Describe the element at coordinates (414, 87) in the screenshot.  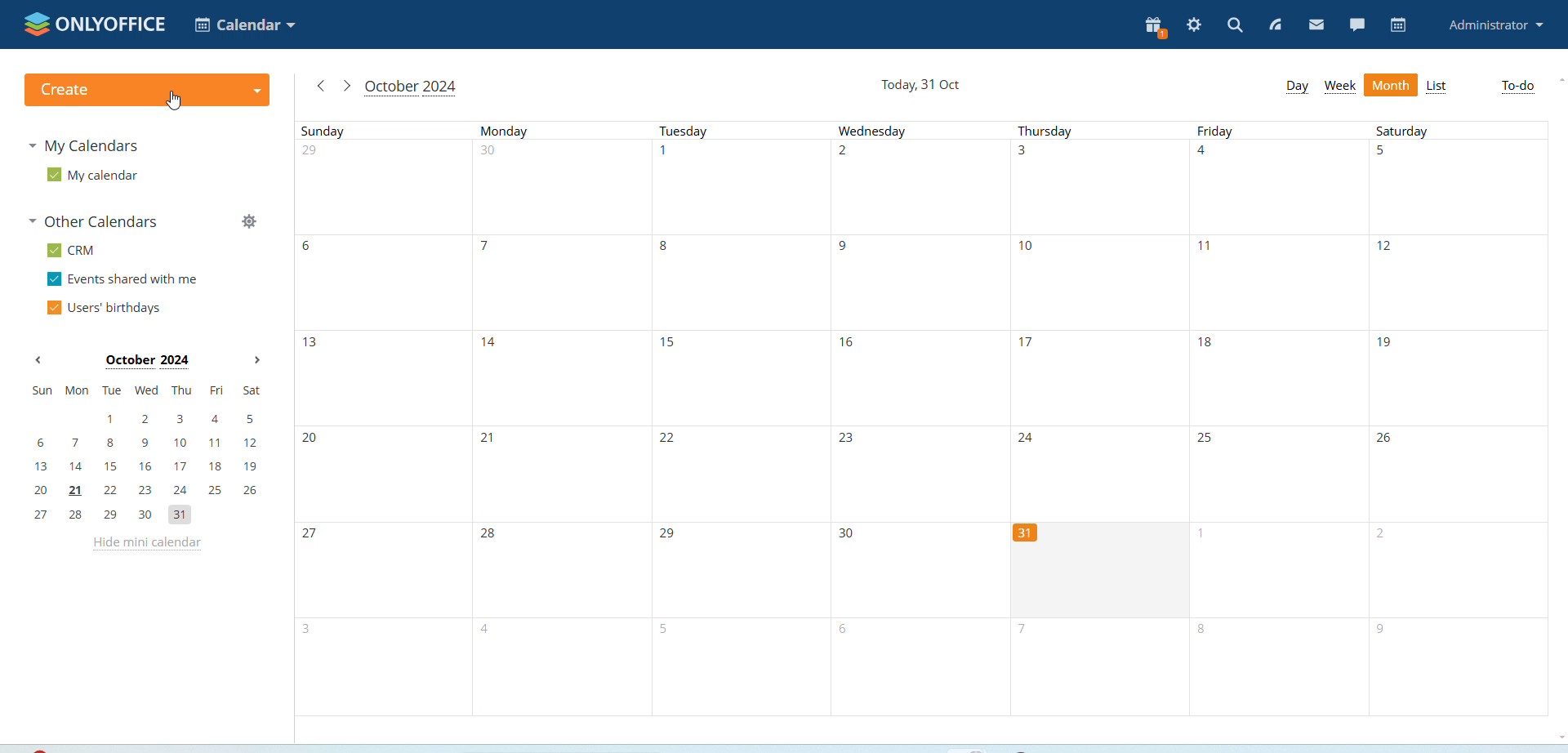
I see `October 2024` at that location.